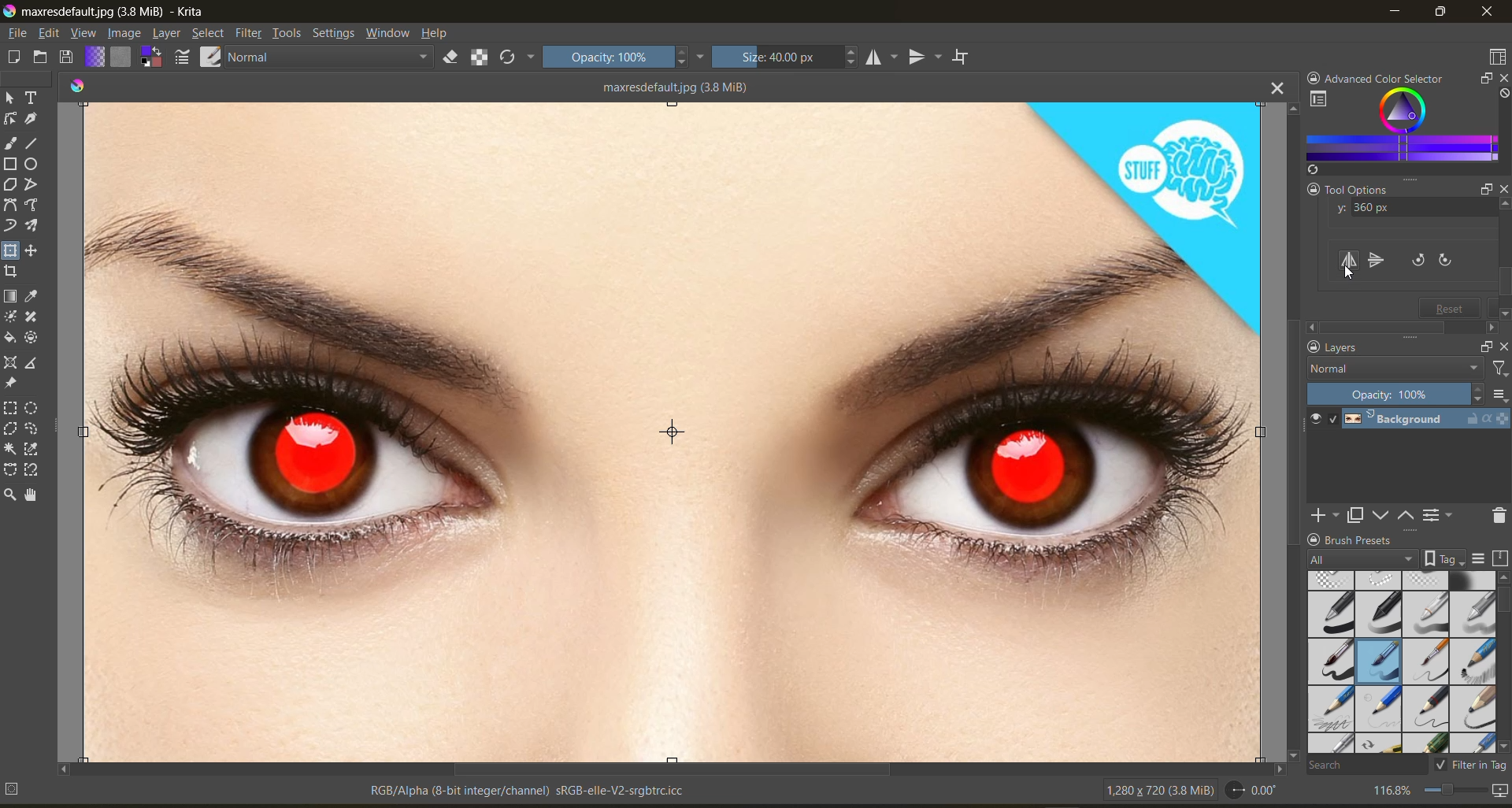 This screenshot has width=1512, height=808. I want to click on tool, so click(10, 119).